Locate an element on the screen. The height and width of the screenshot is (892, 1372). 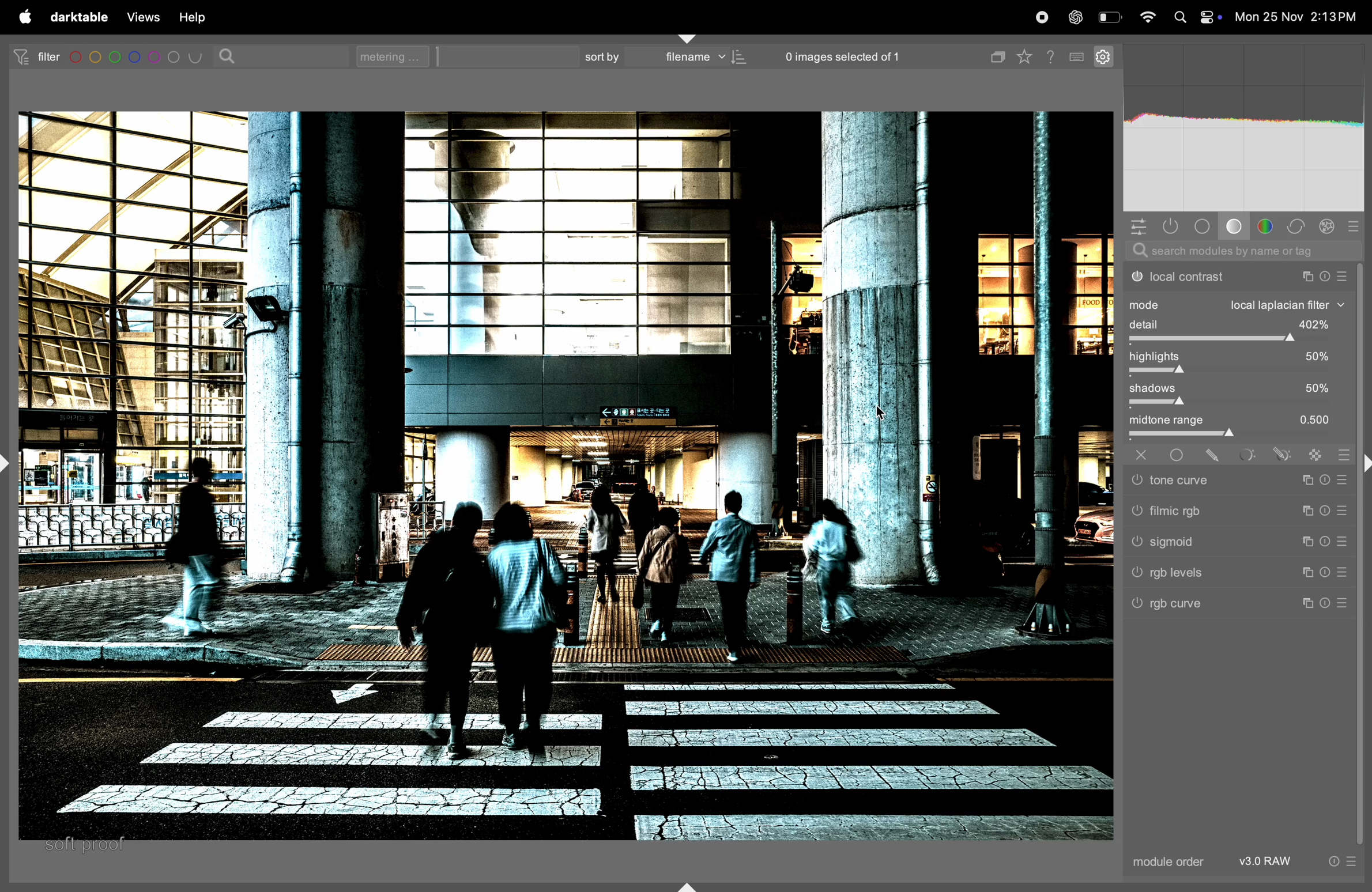
shown activity is located at coordinates (1174, 227).